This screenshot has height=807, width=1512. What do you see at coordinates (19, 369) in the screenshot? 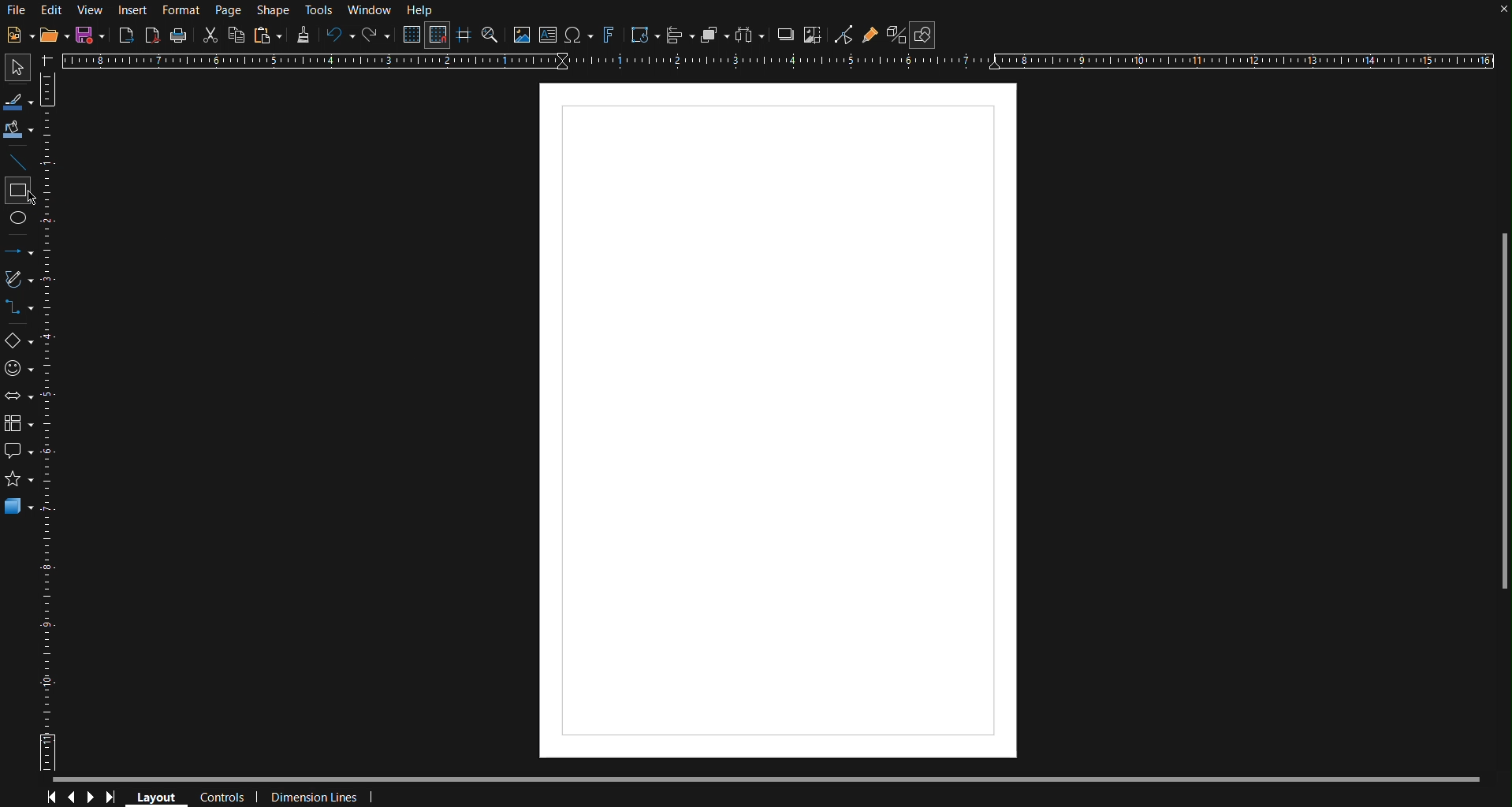
I see `Symbol Shapes` at bounding box center [19, 369].